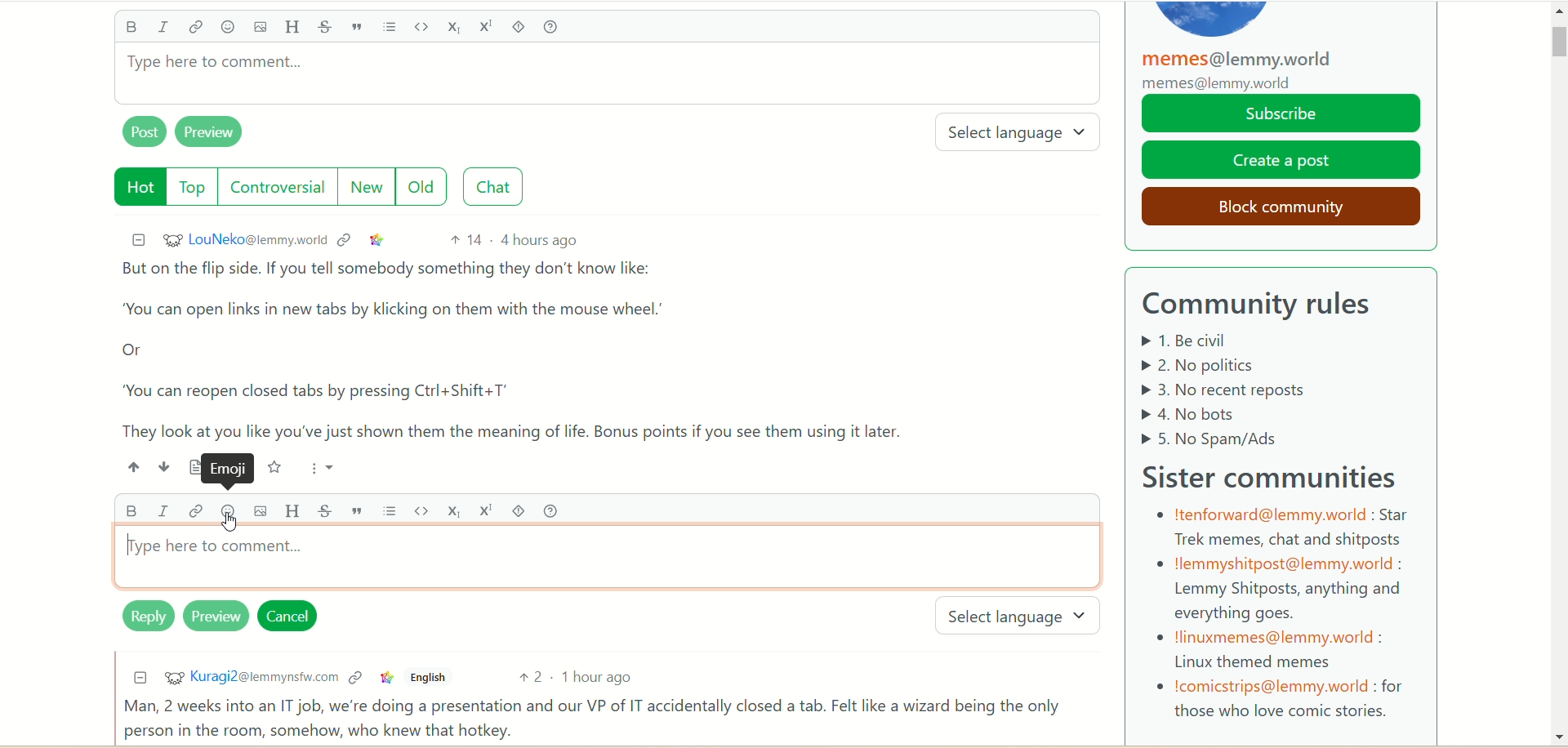  What do you see at coordinates (234, 525) in the screenshot?
I see `Pointer` at bounding box center [234, 525].